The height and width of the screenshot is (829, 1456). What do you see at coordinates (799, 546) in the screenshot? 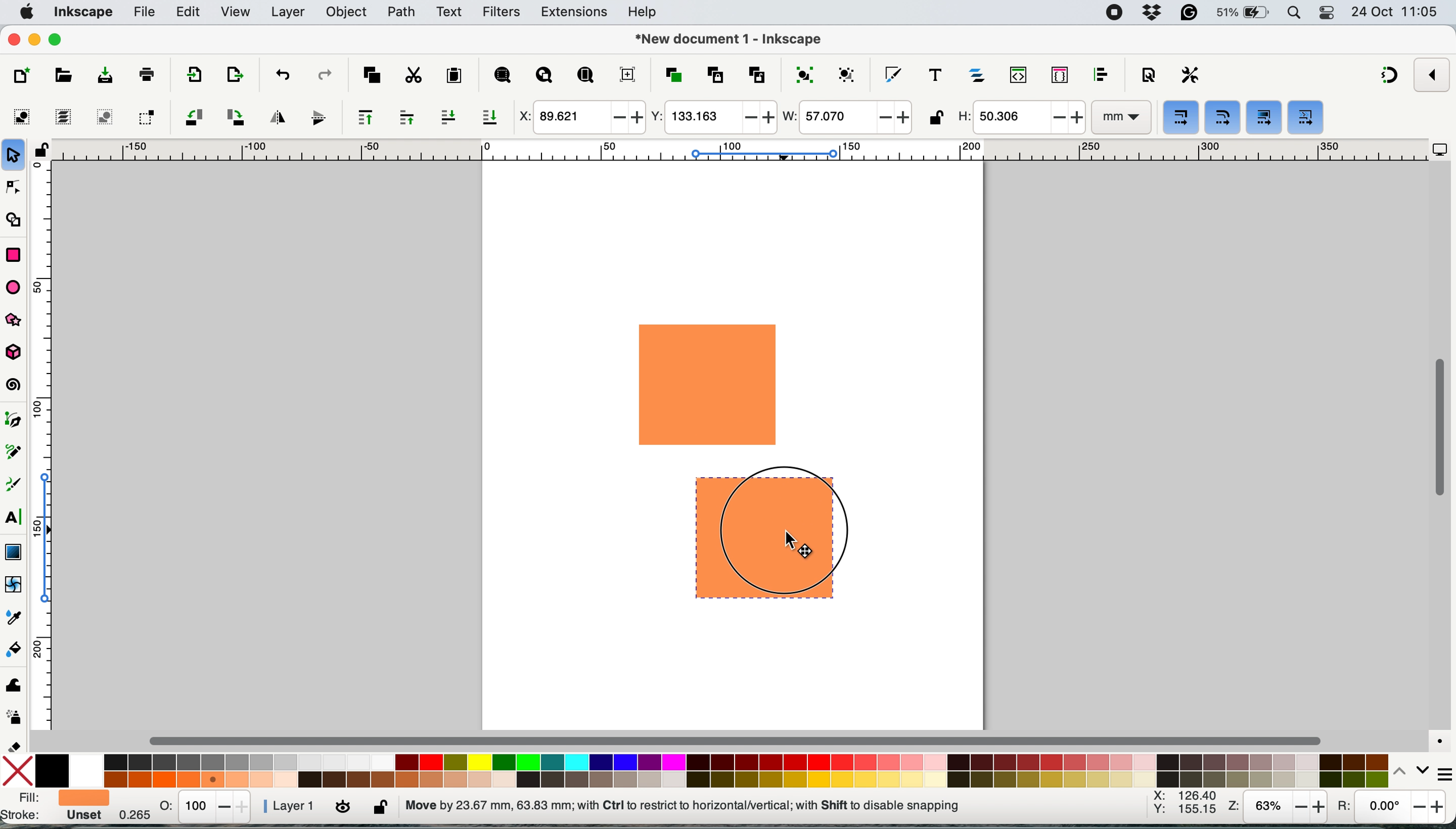
I see `cursor` at bounding box center [799, 546].